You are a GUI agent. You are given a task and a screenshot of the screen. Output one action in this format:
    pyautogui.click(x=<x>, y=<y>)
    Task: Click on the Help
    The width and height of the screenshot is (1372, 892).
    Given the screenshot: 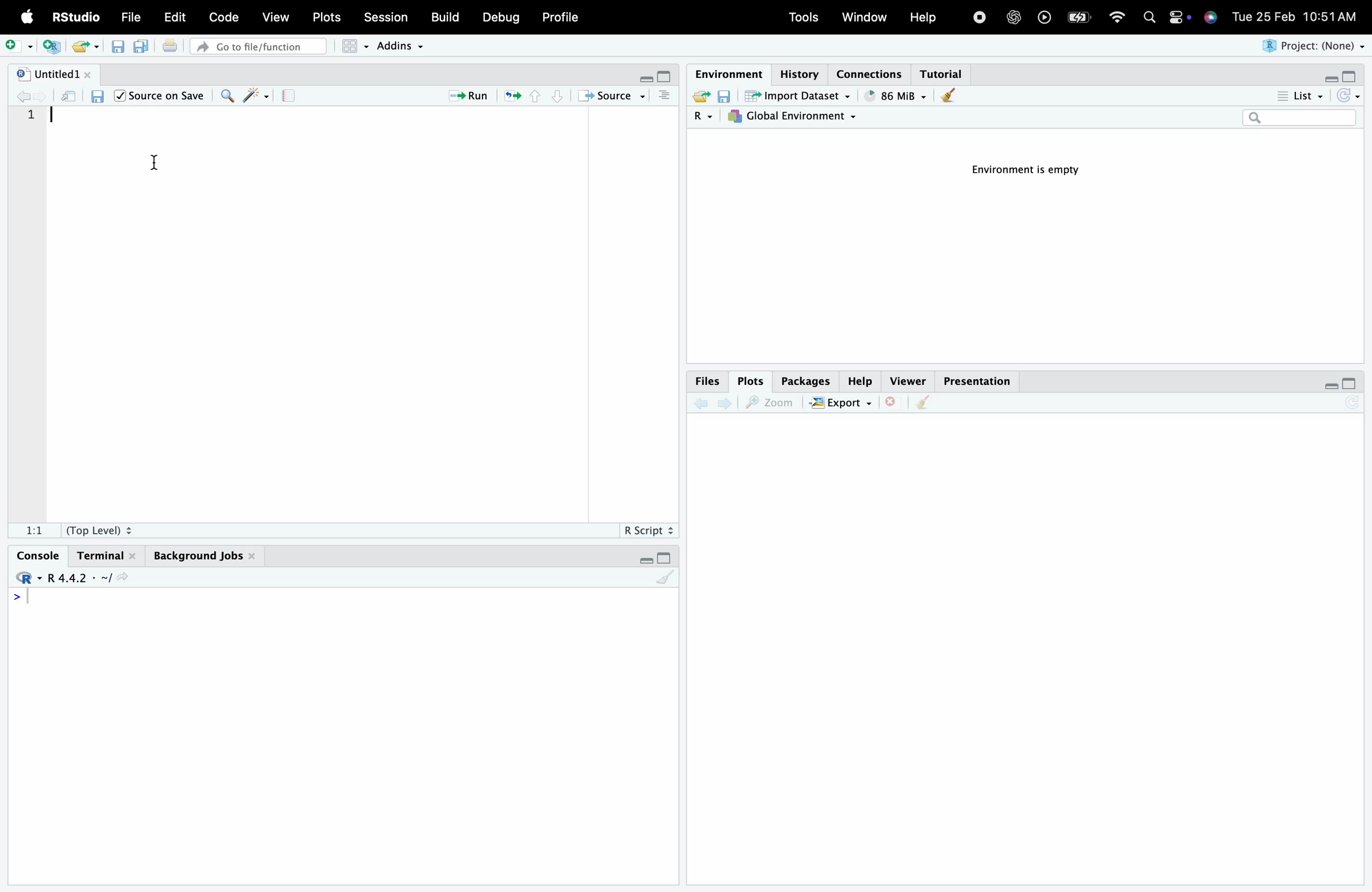 What is the action you would take?
    pyautogui.click(x=860, y=378)
    